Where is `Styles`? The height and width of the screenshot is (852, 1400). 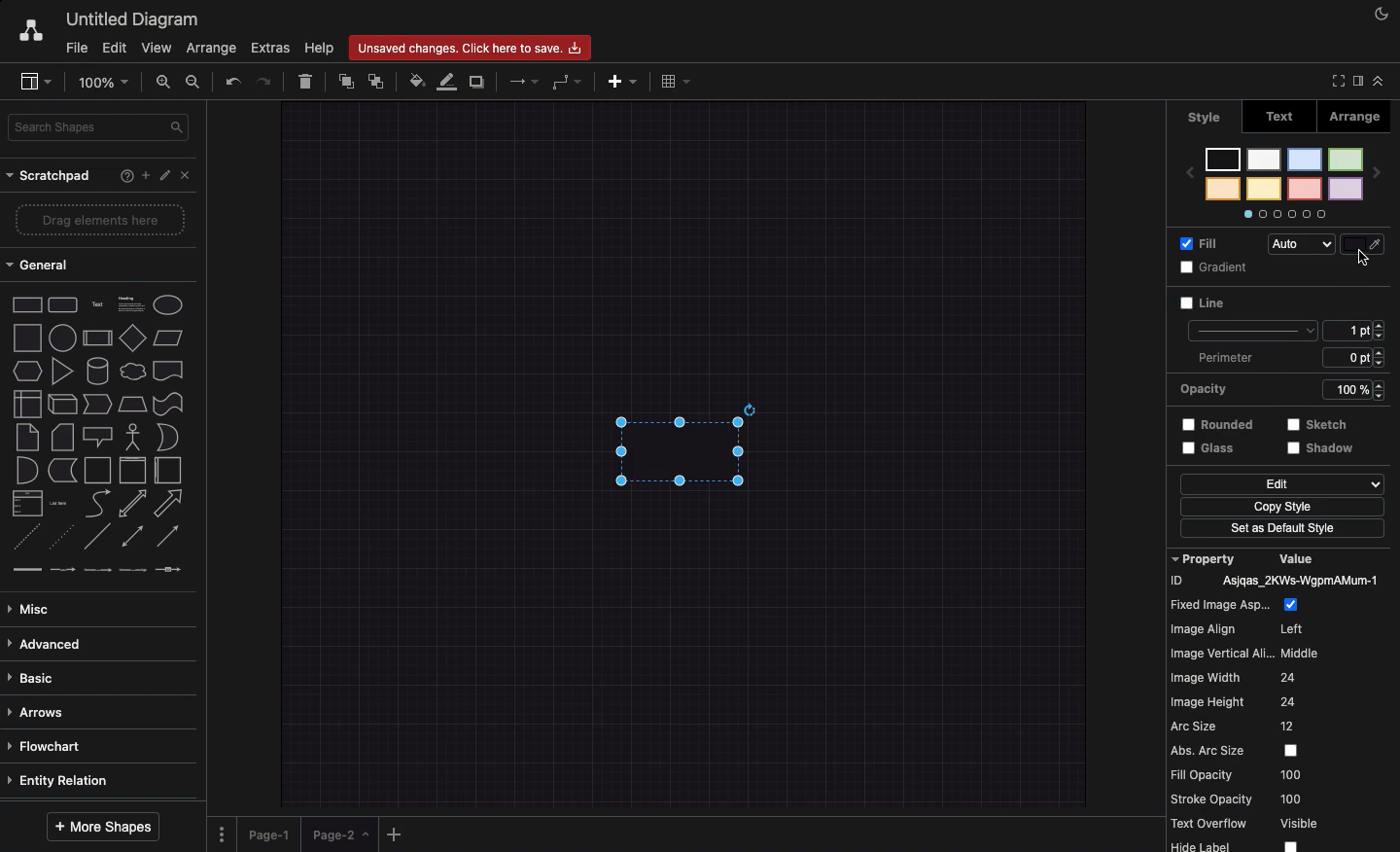
Styles is located at coordinates (1284, 181).